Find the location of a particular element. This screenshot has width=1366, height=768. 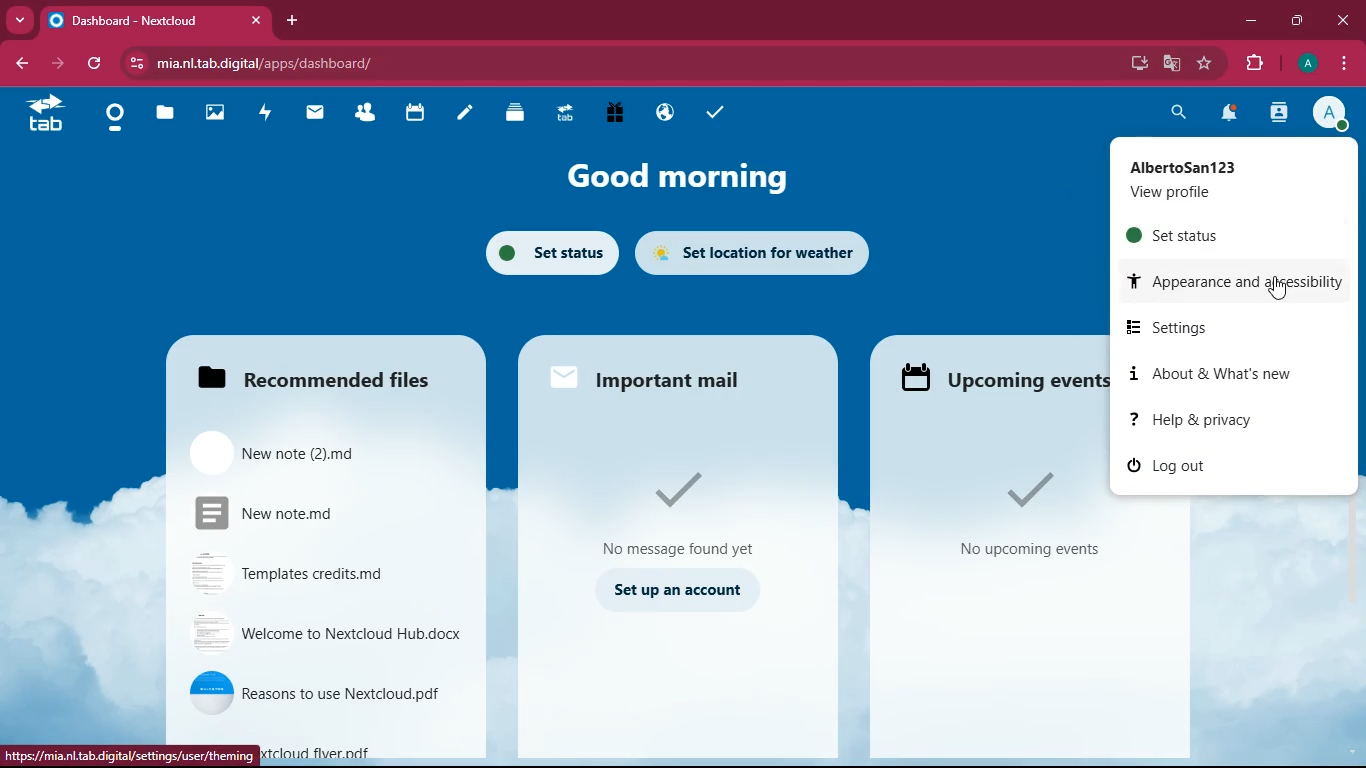

files is located at coordinates (166, 113).